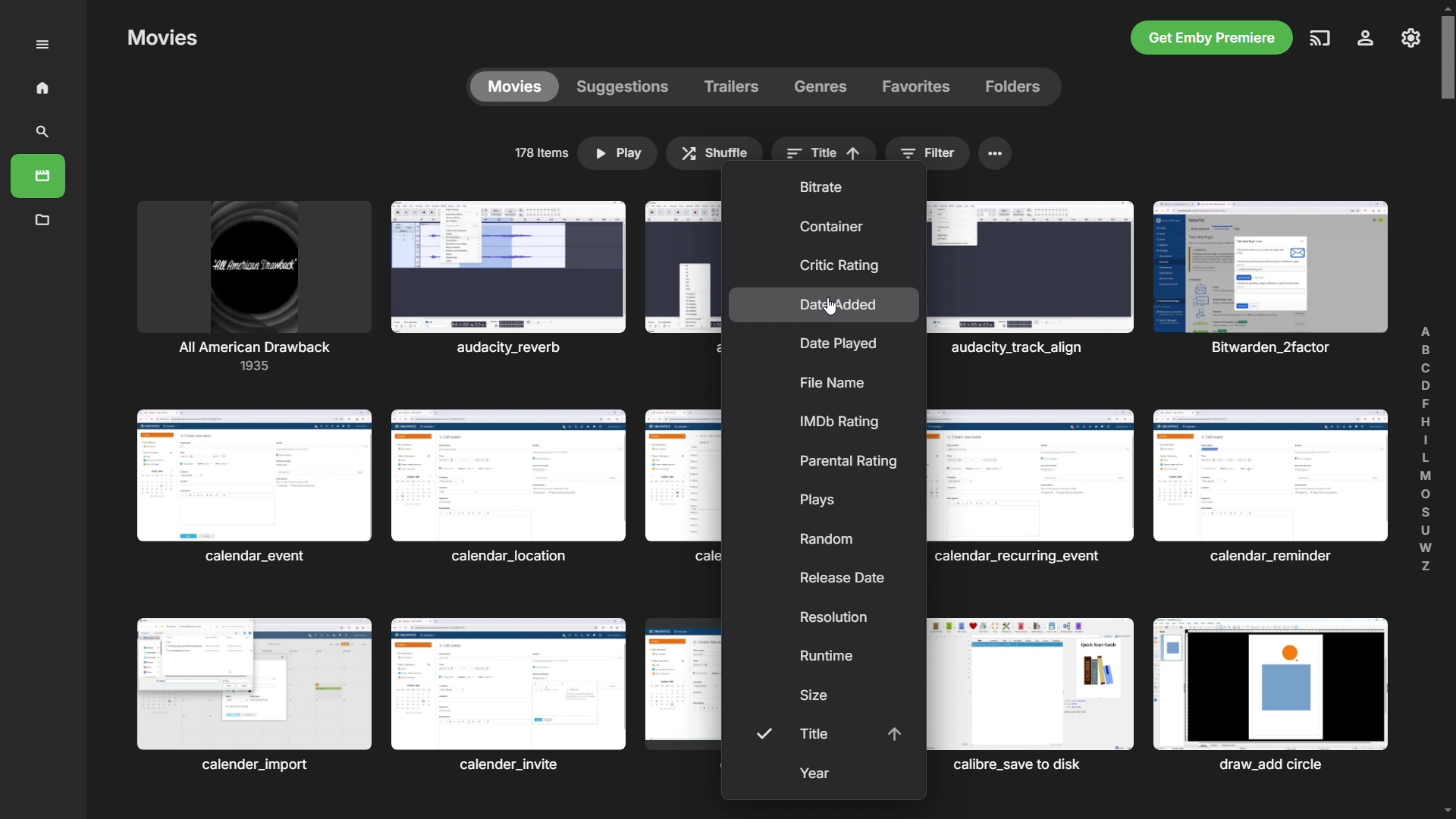  I want to click on sort by, so click(824, 147).